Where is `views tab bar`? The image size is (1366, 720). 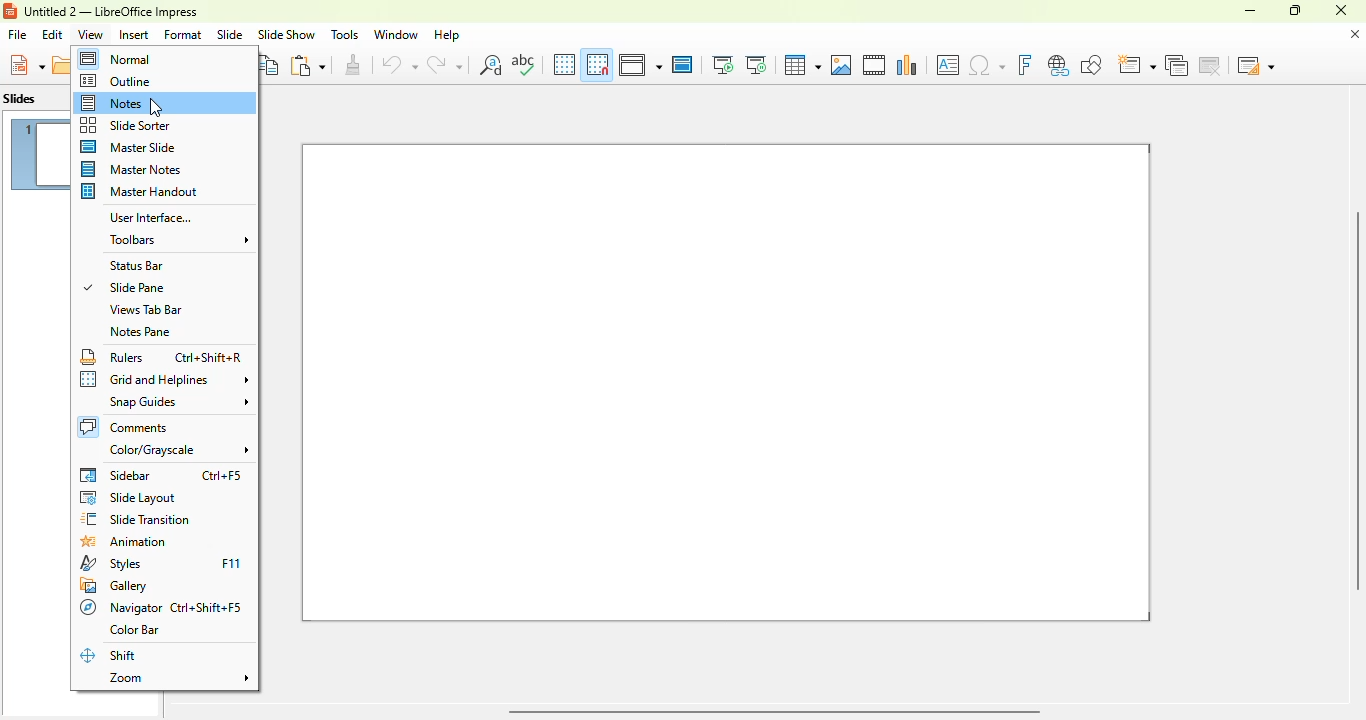
views tab bar is located at coordinates (144, 310).